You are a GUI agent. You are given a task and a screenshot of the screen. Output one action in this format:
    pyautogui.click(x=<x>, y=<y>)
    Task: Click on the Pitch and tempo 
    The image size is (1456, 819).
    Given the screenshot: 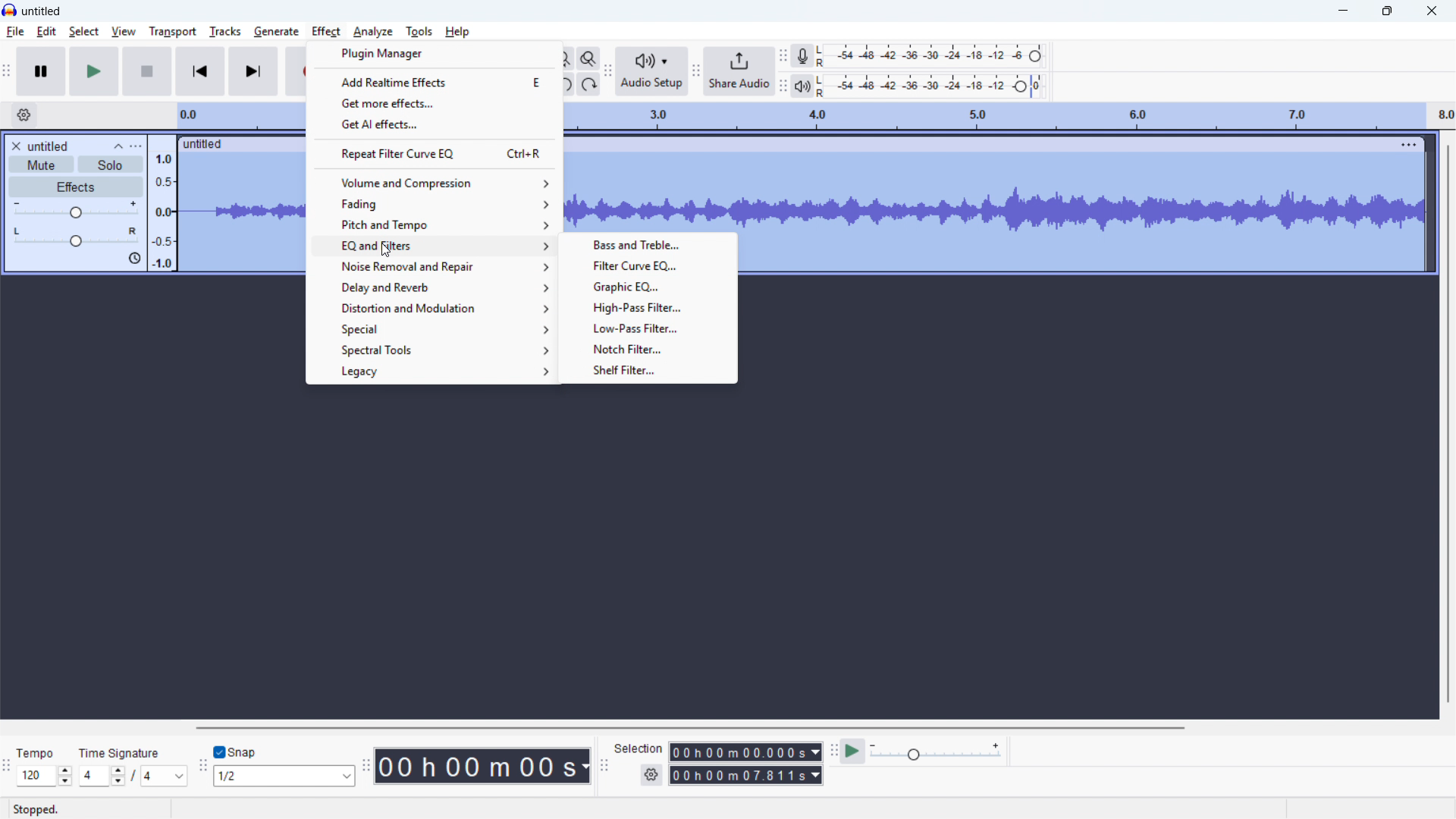 What is the action you would take?
    pyautogui.click(x=436, y=223)
    